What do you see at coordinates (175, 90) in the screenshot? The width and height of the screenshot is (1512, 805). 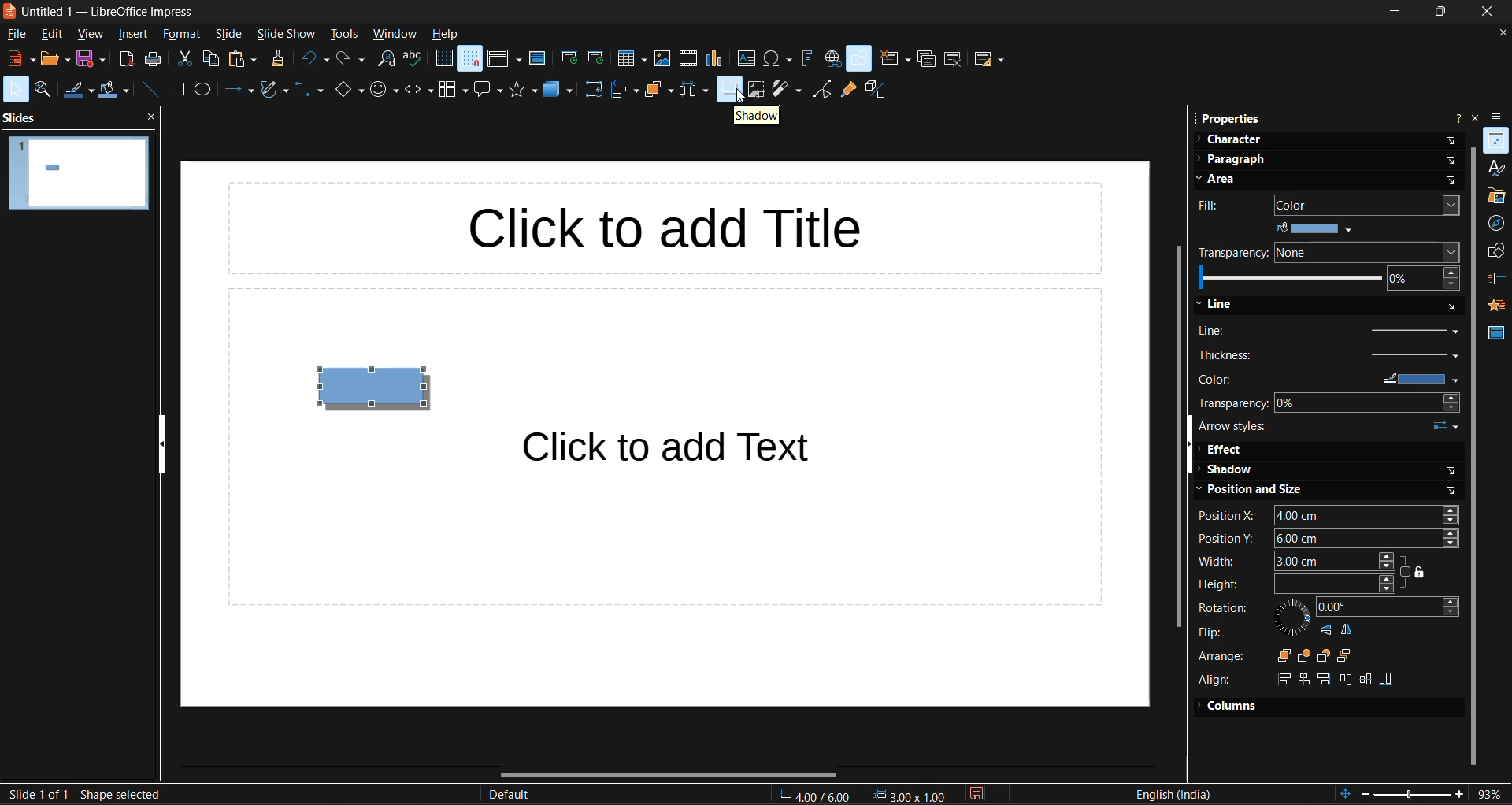 I see `rectangle` at bounding box center [175, 90].